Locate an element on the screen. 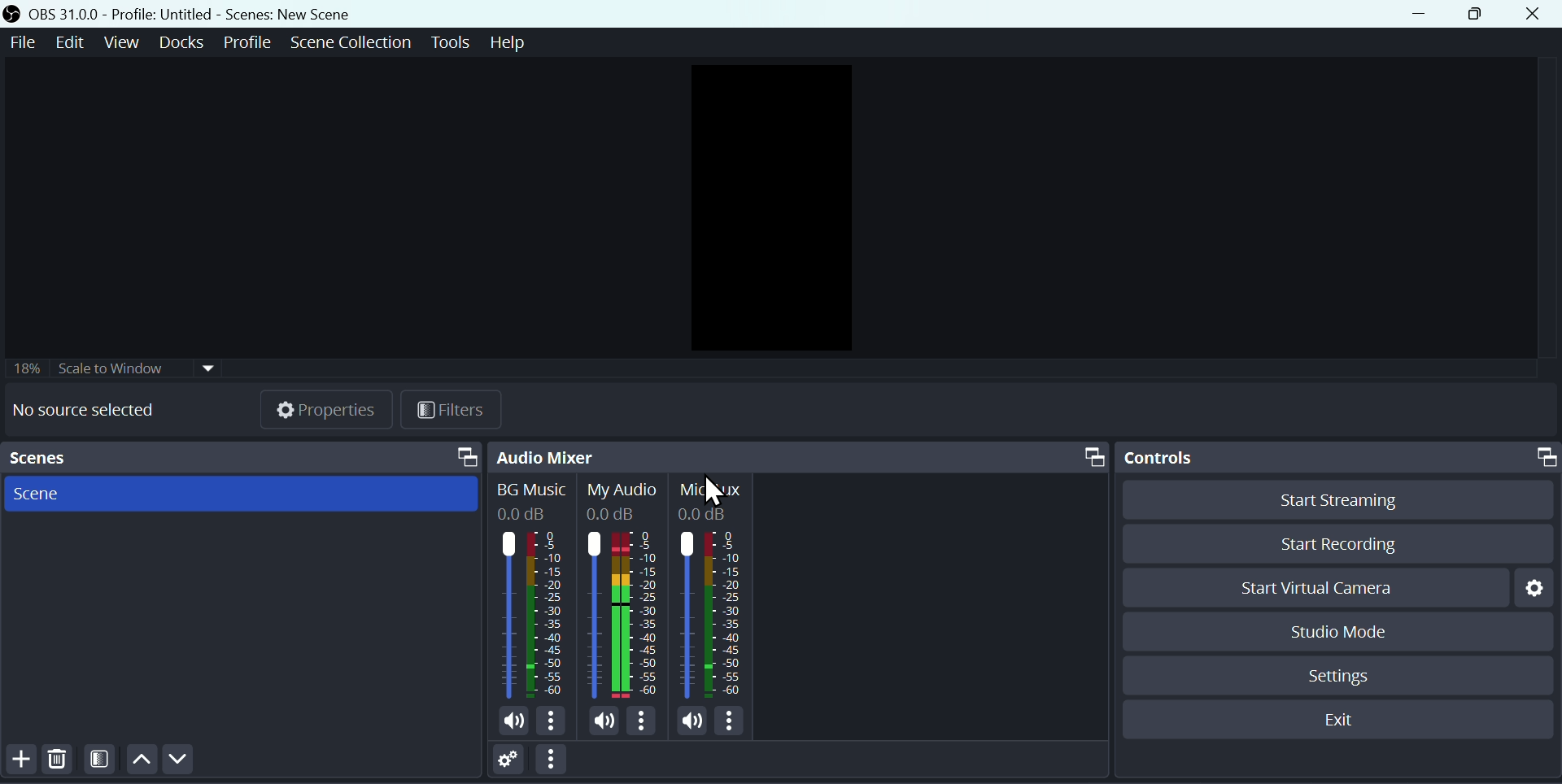 The image size is (1562, 784). Tools is located at coordinates (450, 45).